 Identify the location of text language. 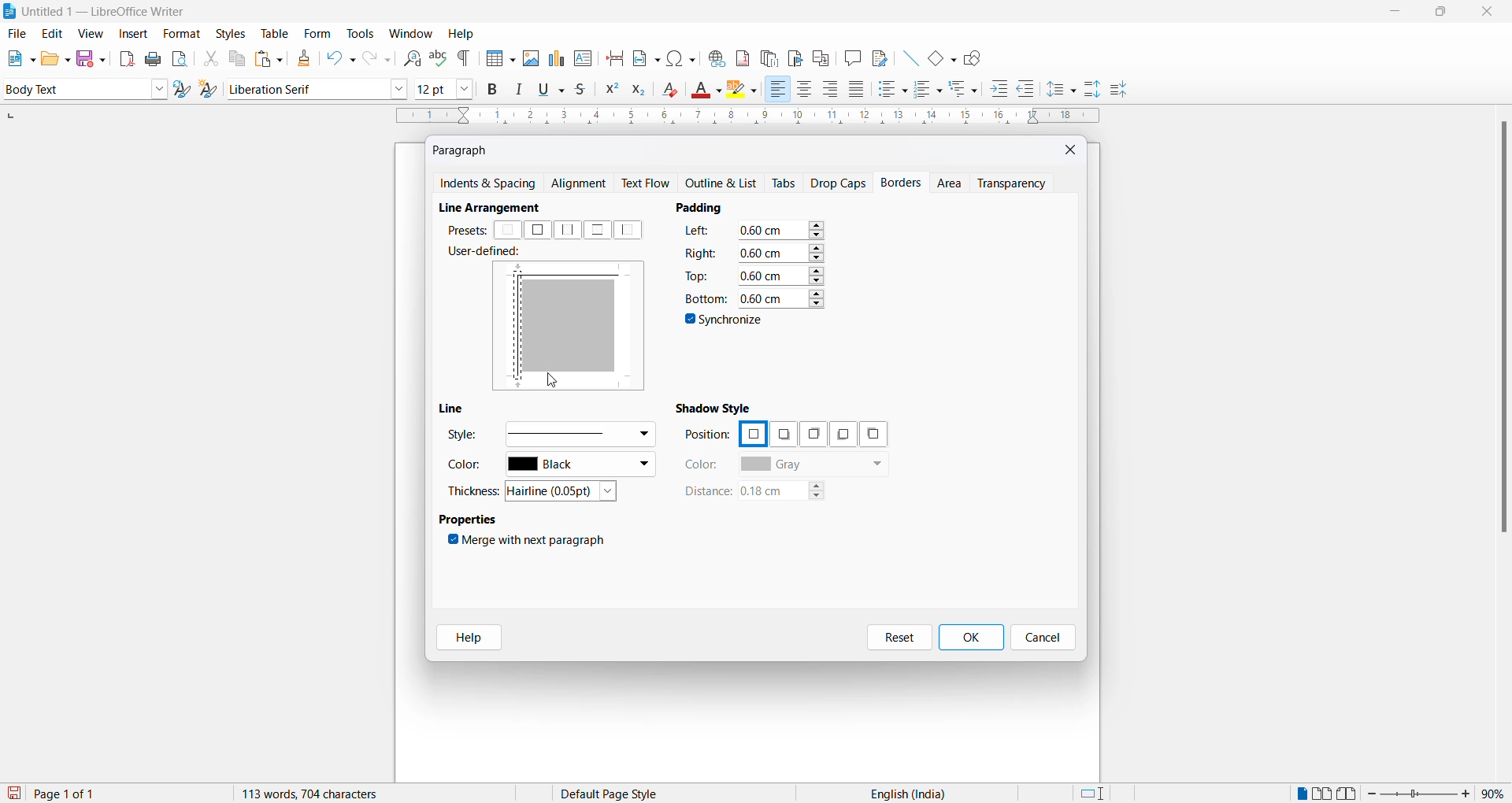
(902, 794).